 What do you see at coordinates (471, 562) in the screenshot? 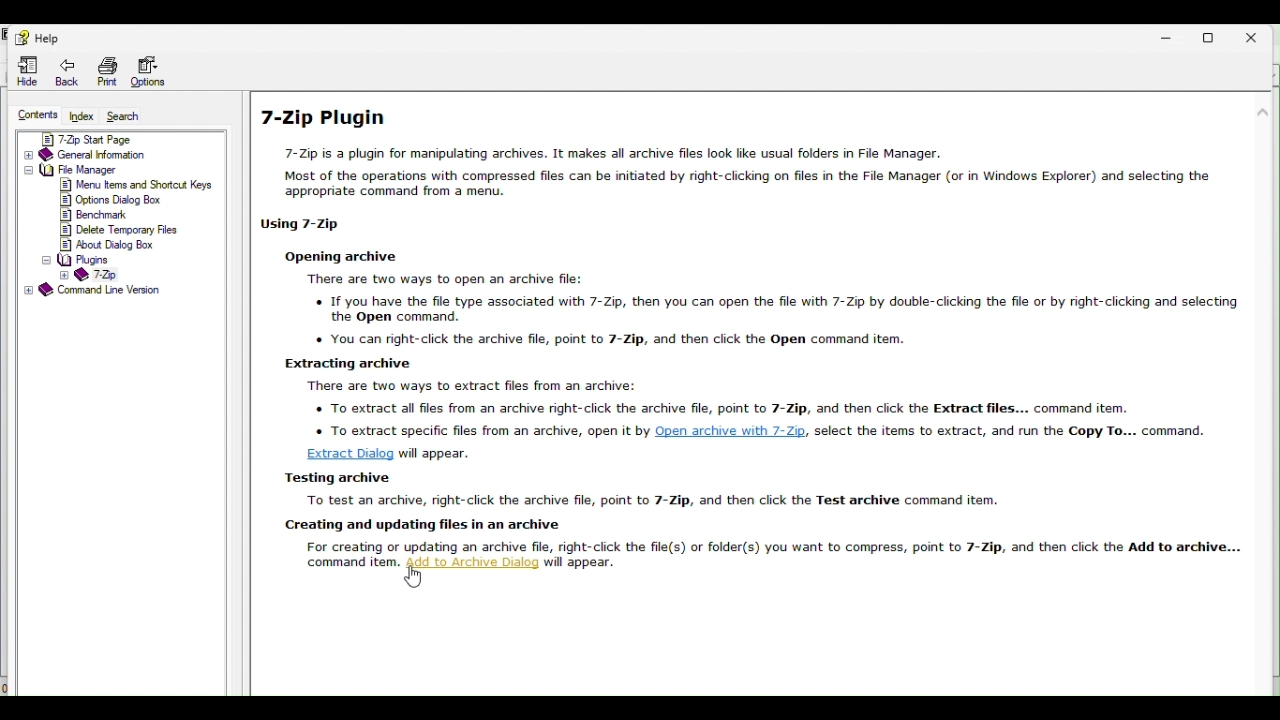
I see `Add to Archive Dialog` at bounding box center [471, 562].